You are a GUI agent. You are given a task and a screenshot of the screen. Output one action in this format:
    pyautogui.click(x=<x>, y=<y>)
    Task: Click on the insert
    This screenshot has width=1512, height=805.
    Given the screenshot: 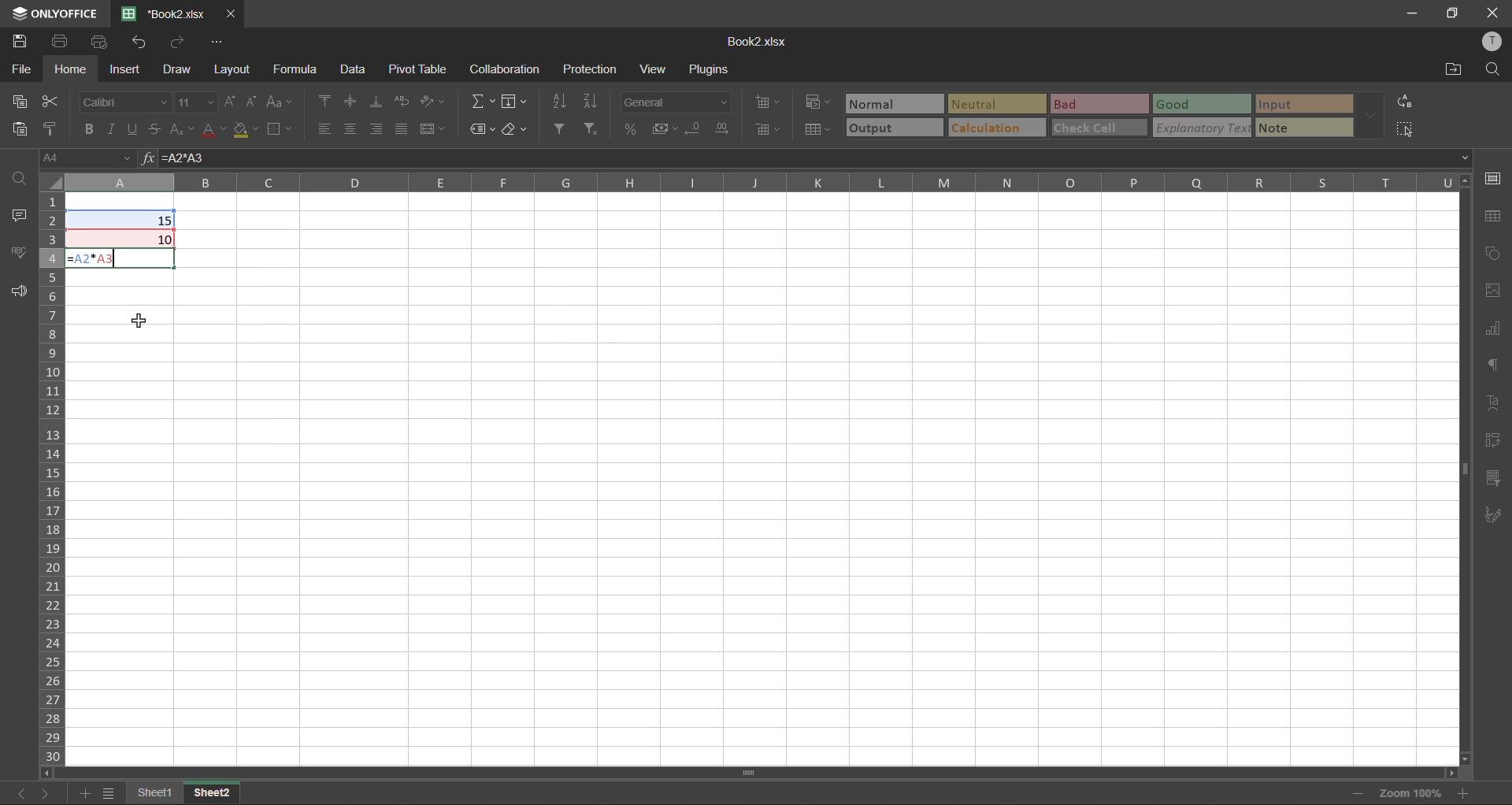 What is the action you would take?
    pyautogui.click(x=125, y=70)
    